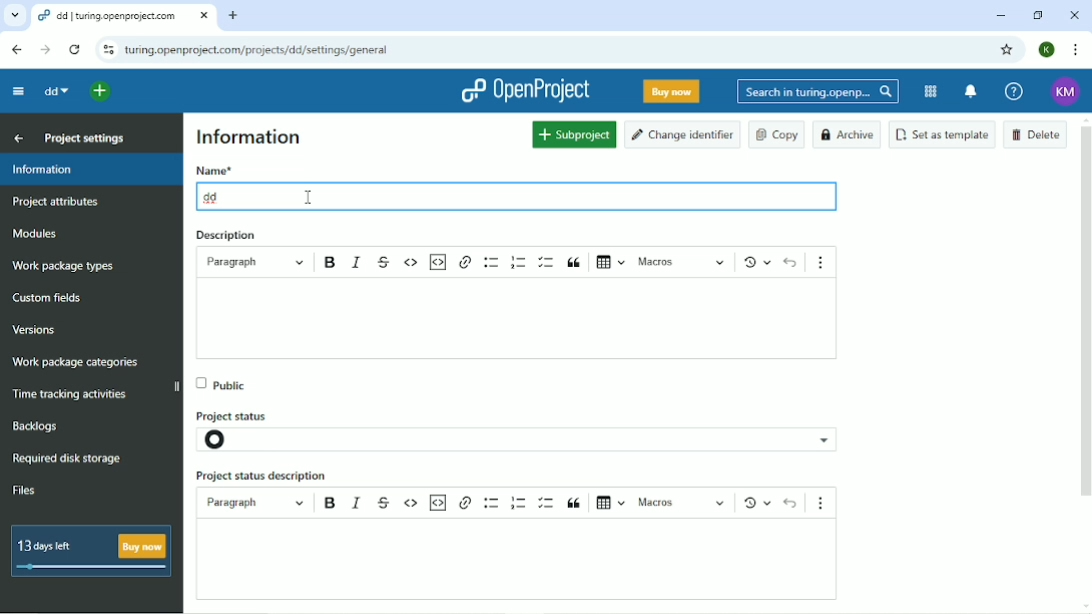  I want to click on Open quick add menu, so click(104, 92).